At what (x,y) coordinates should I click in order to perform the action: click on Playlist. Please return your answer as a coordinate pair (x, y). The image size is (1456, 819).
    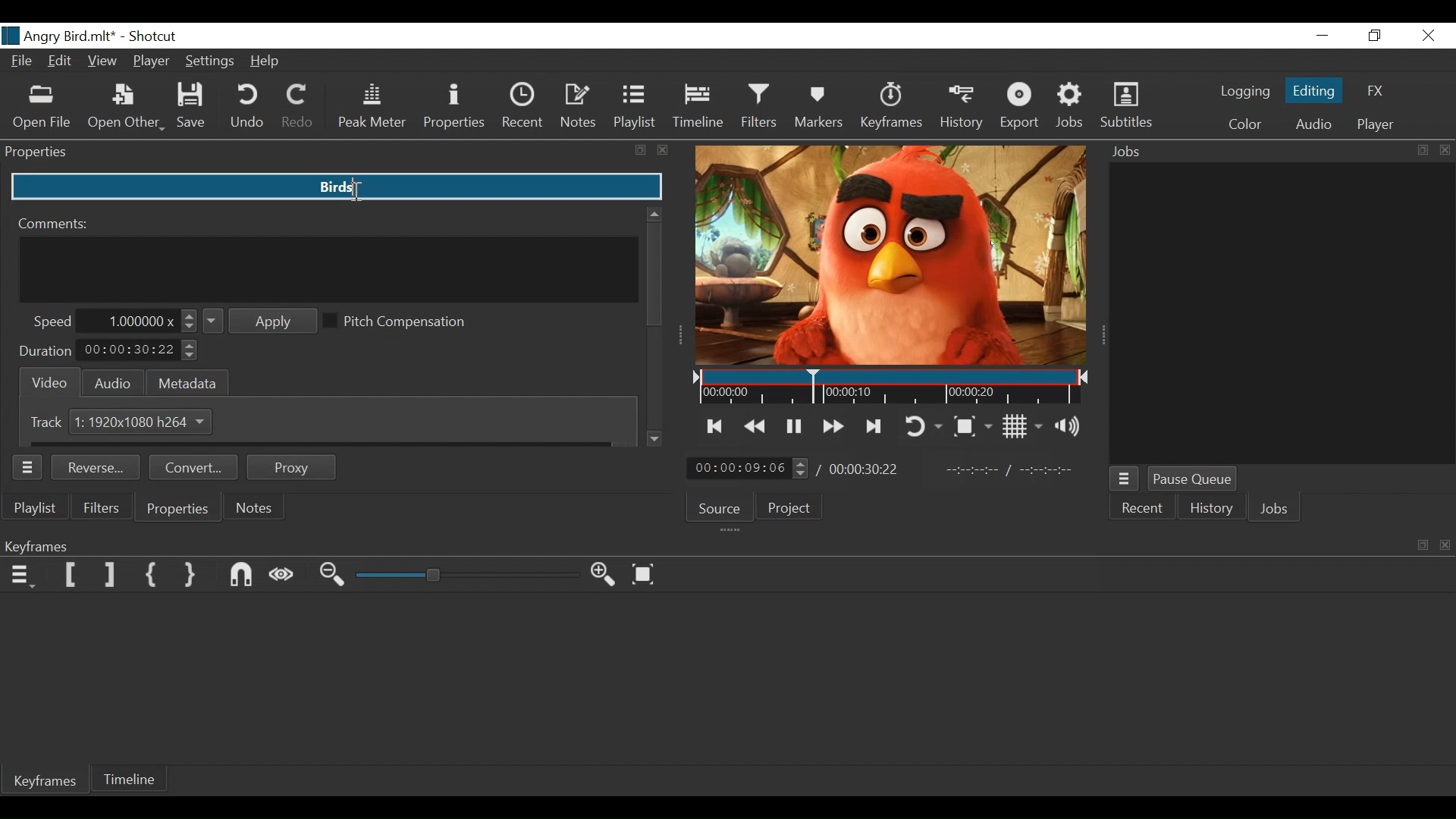
    Looking at the image, I should click on (635, 106).